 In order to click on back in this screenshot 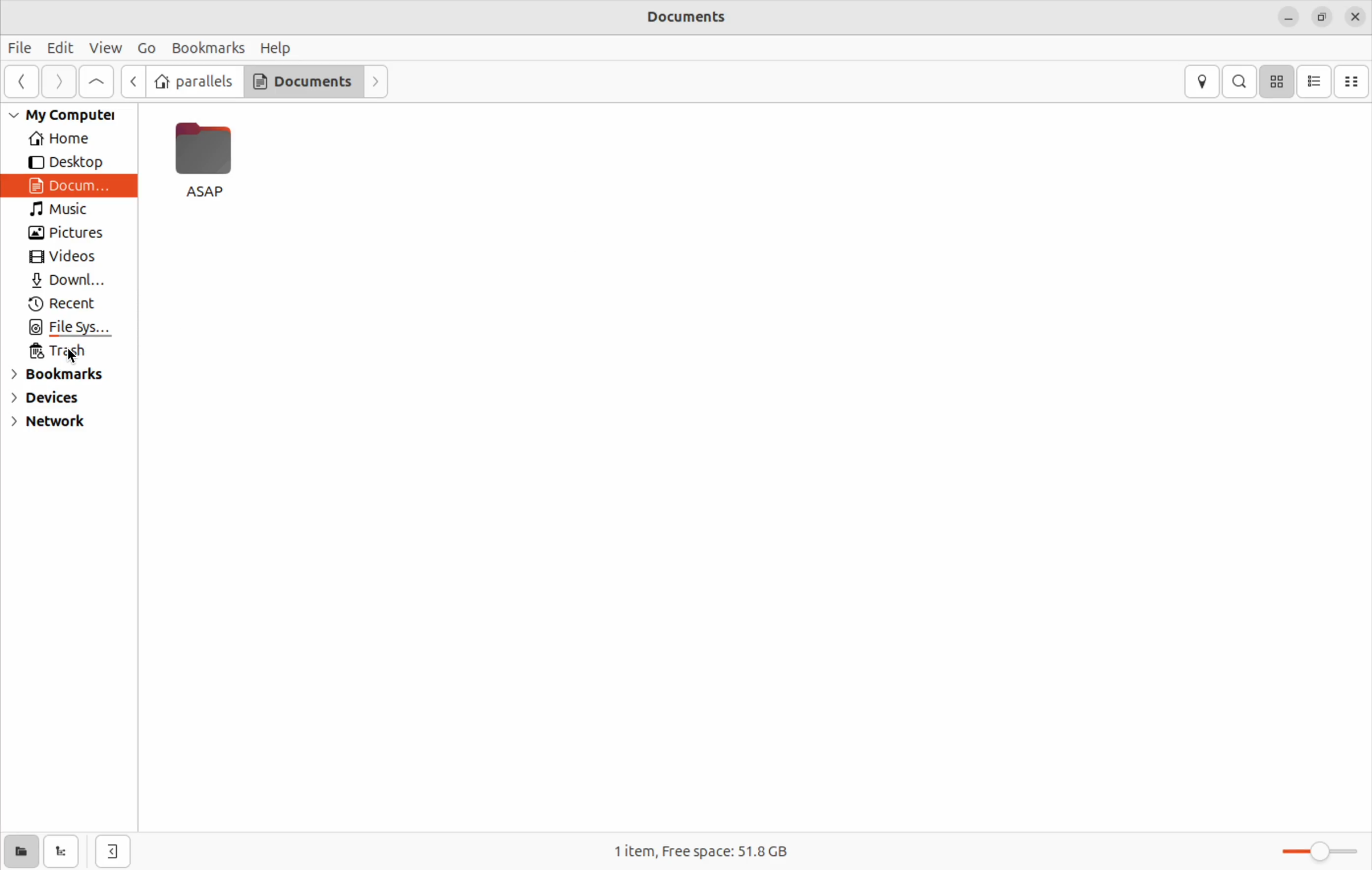, I will do `click(132, 81)`.